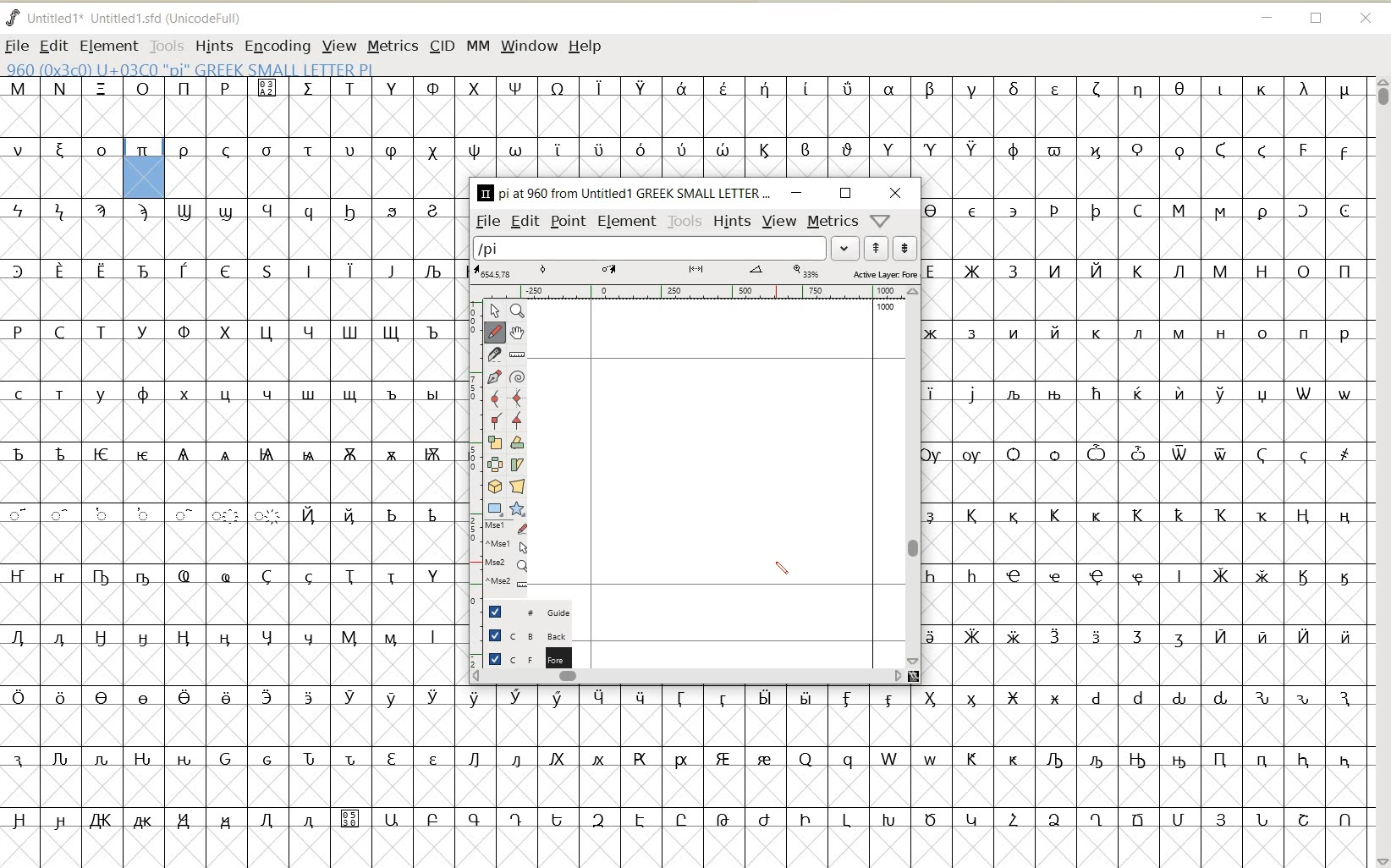 The height and width of the screenshot is (868, 1391). I want to click on BACKGROUND, so click(520, 637).